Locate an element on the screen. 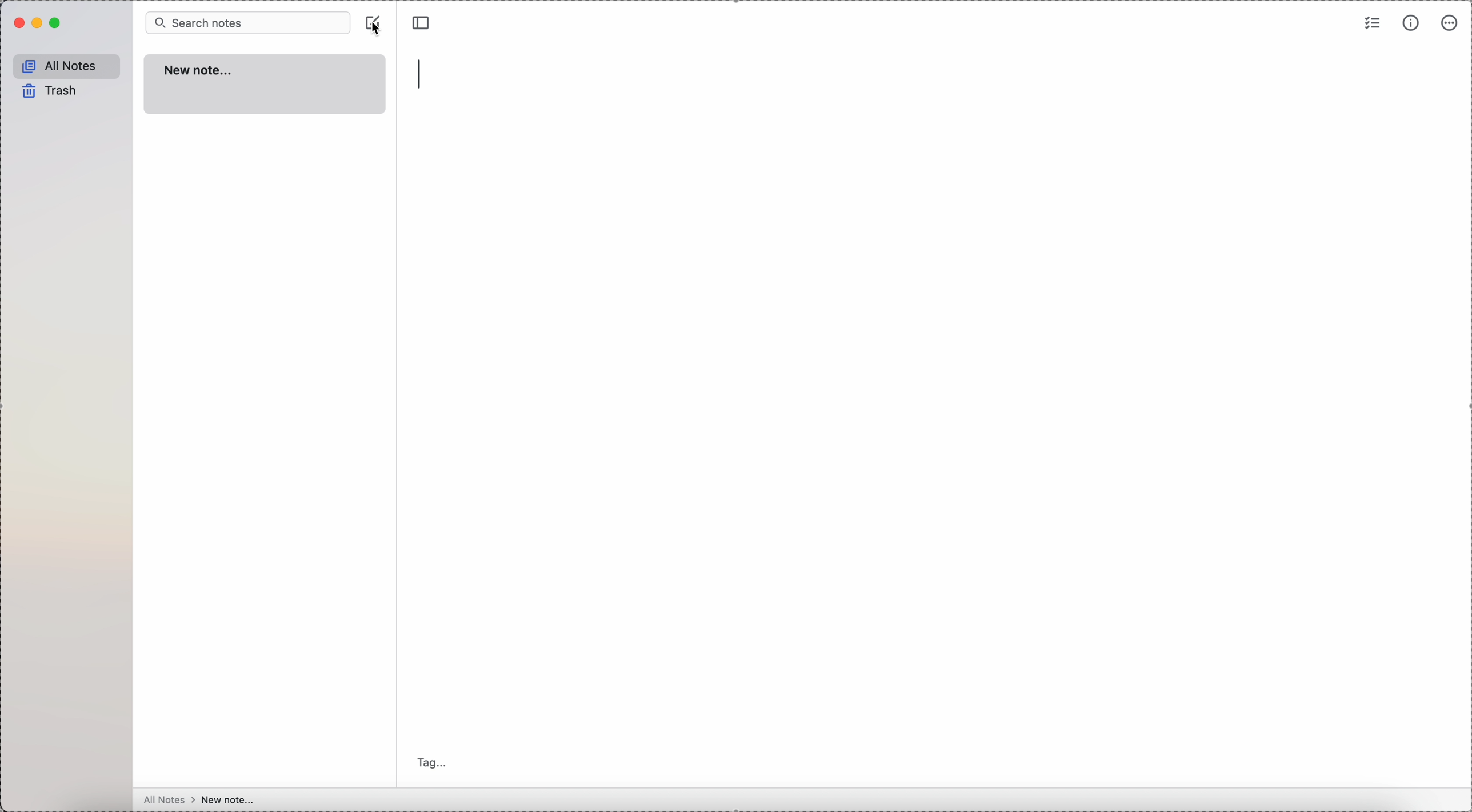 The image size is (1472, 812). tag is located at coordinates (433, 762).